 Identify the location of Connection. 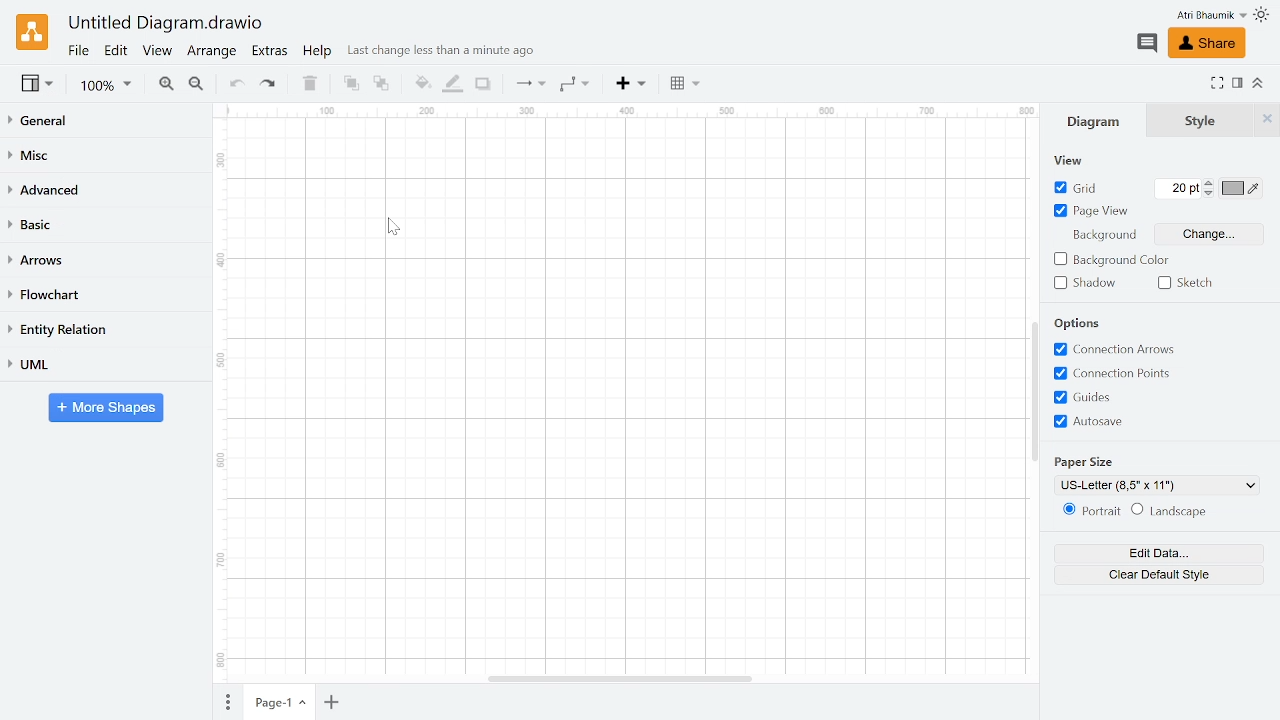
(529, 85).